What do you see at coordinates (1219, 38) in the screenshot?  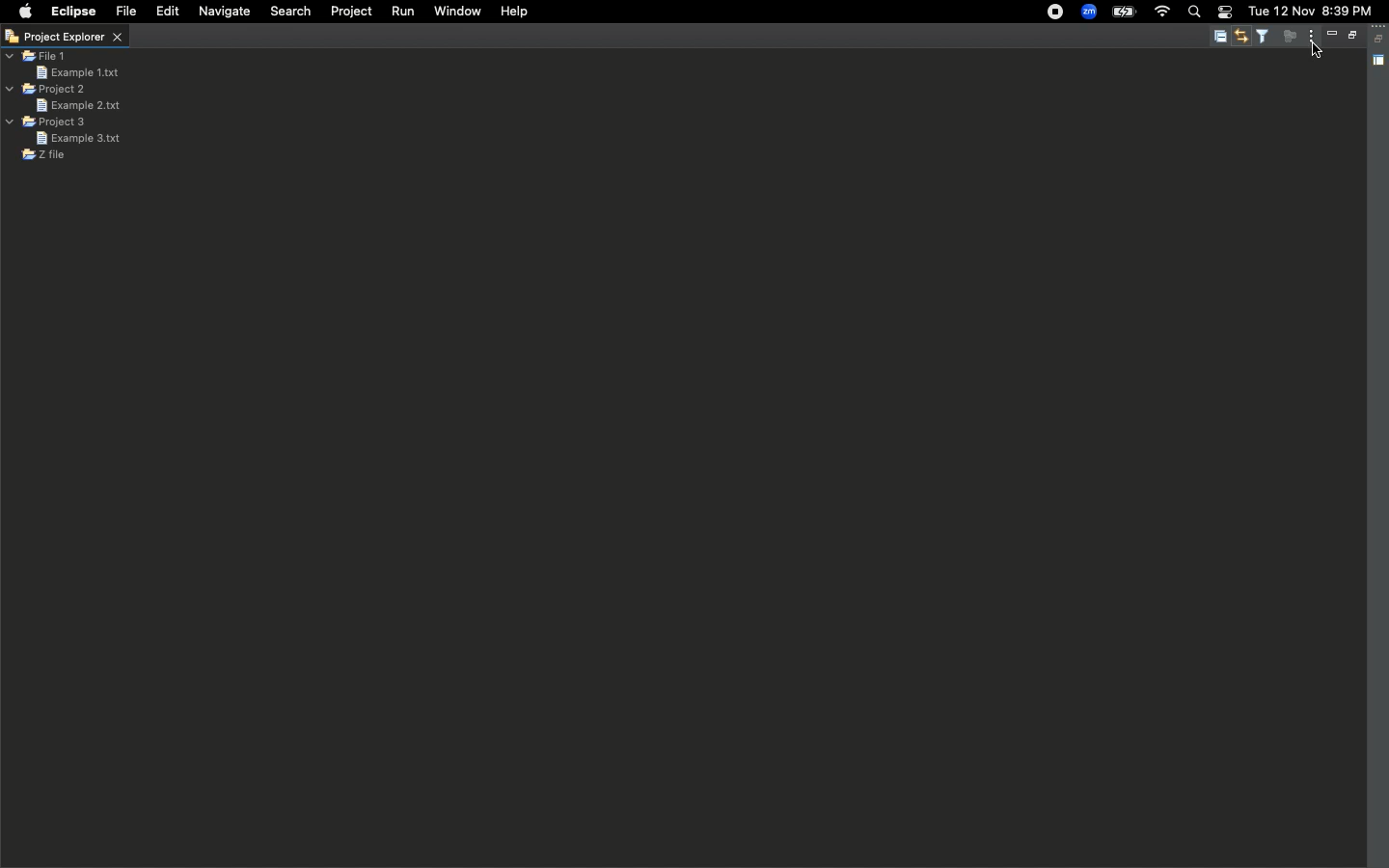 I see `Collapse all` at bounding box center [1219, 38].